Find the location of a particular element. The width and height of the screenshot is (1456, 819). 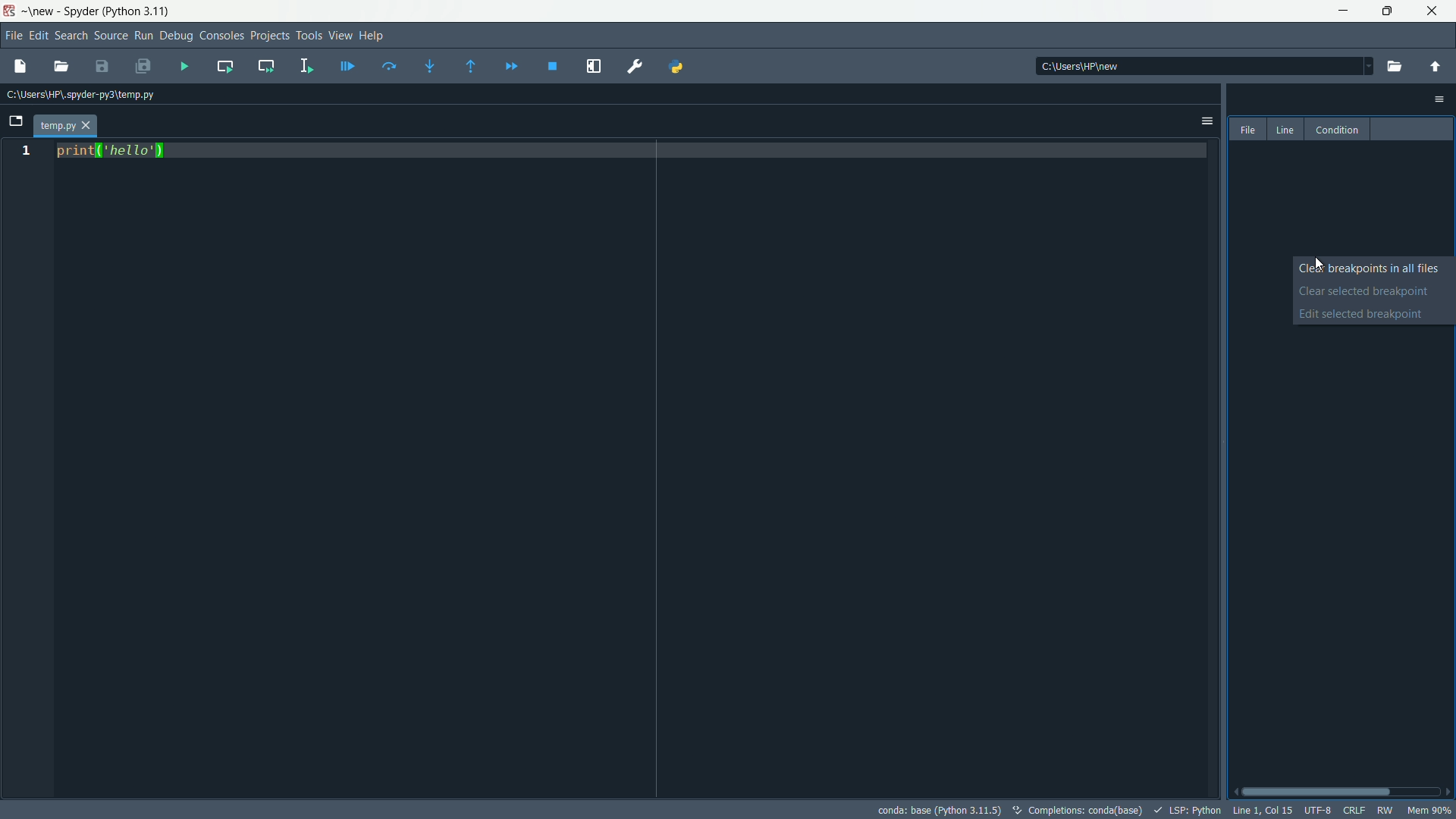

completions: conda(base) is located at coordinates (1076, 810).